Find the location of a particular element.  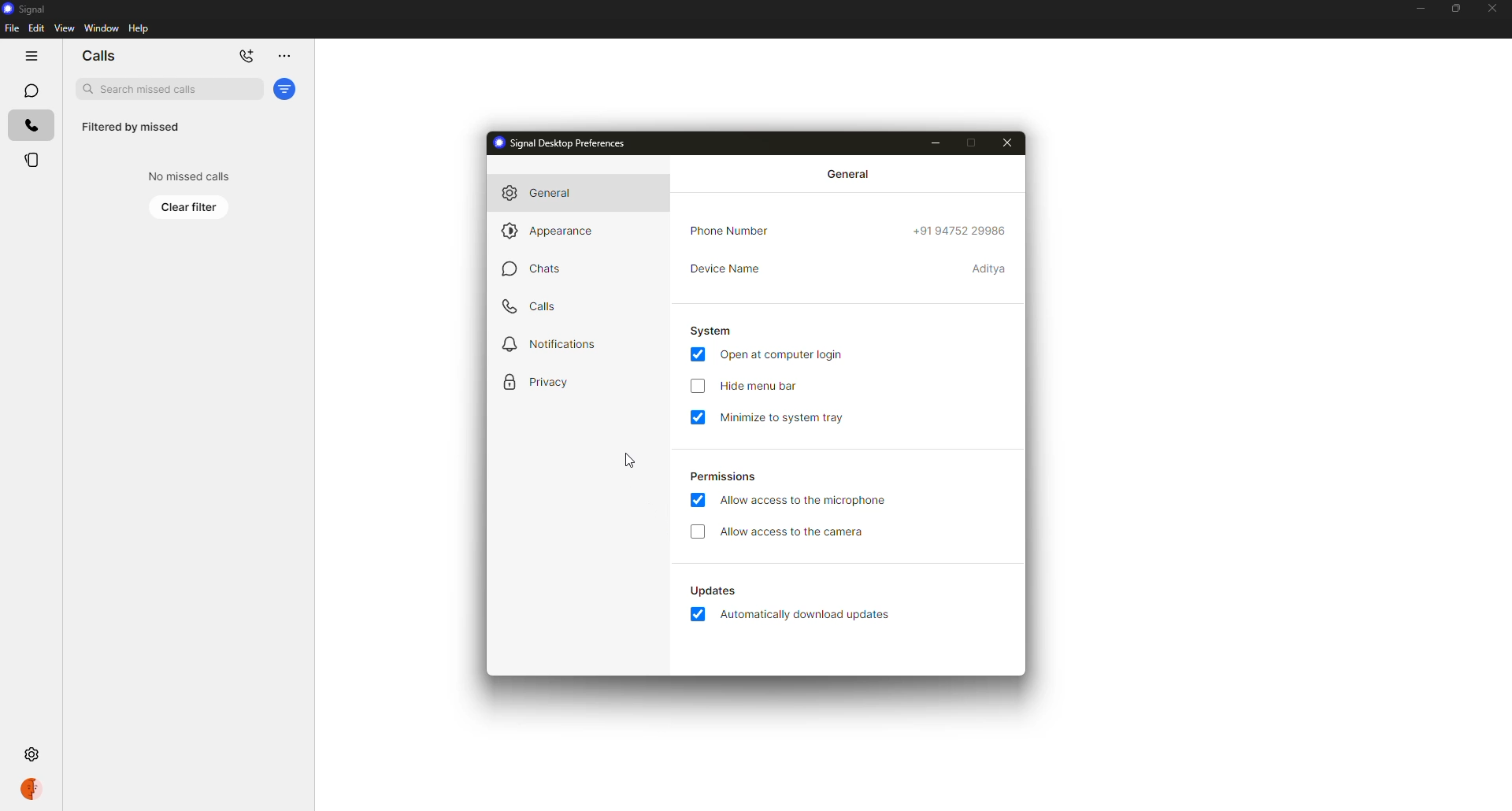

search is located at coordinates (167, 88).